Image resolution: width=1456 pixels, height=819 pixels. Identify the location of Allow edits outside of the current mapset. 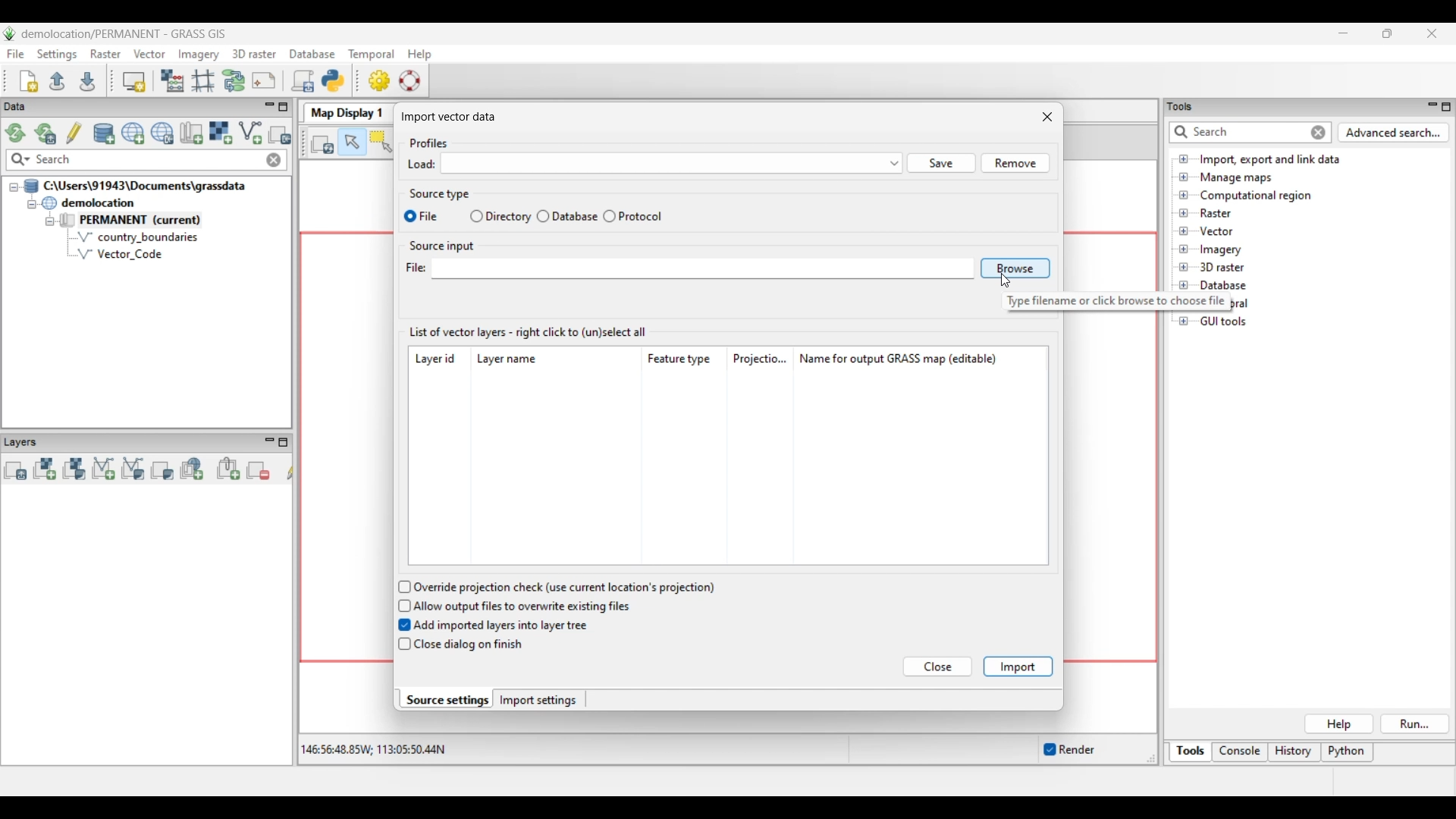
(74, 133).